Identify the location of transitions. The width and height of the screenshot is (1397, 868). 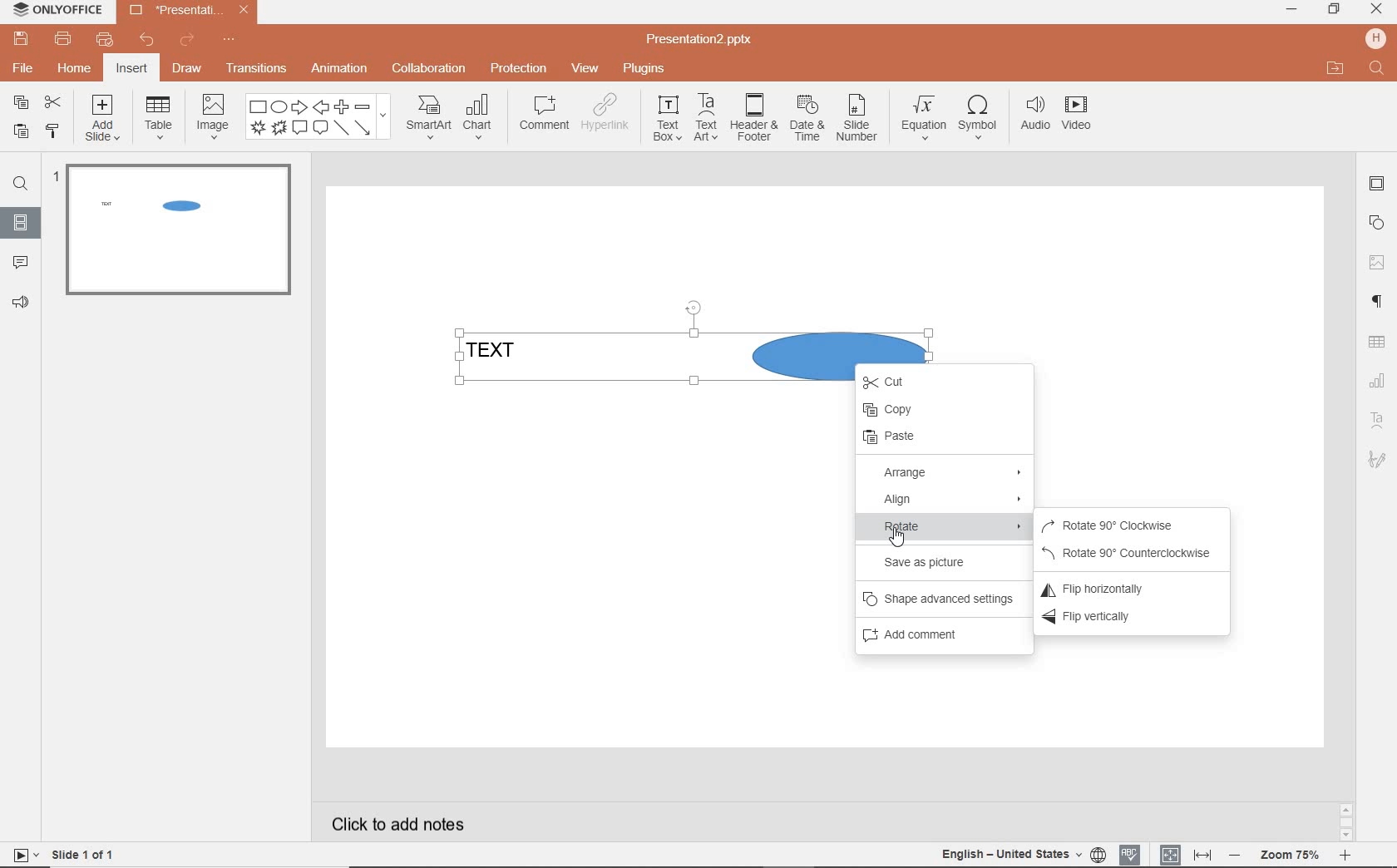
(257, 67).